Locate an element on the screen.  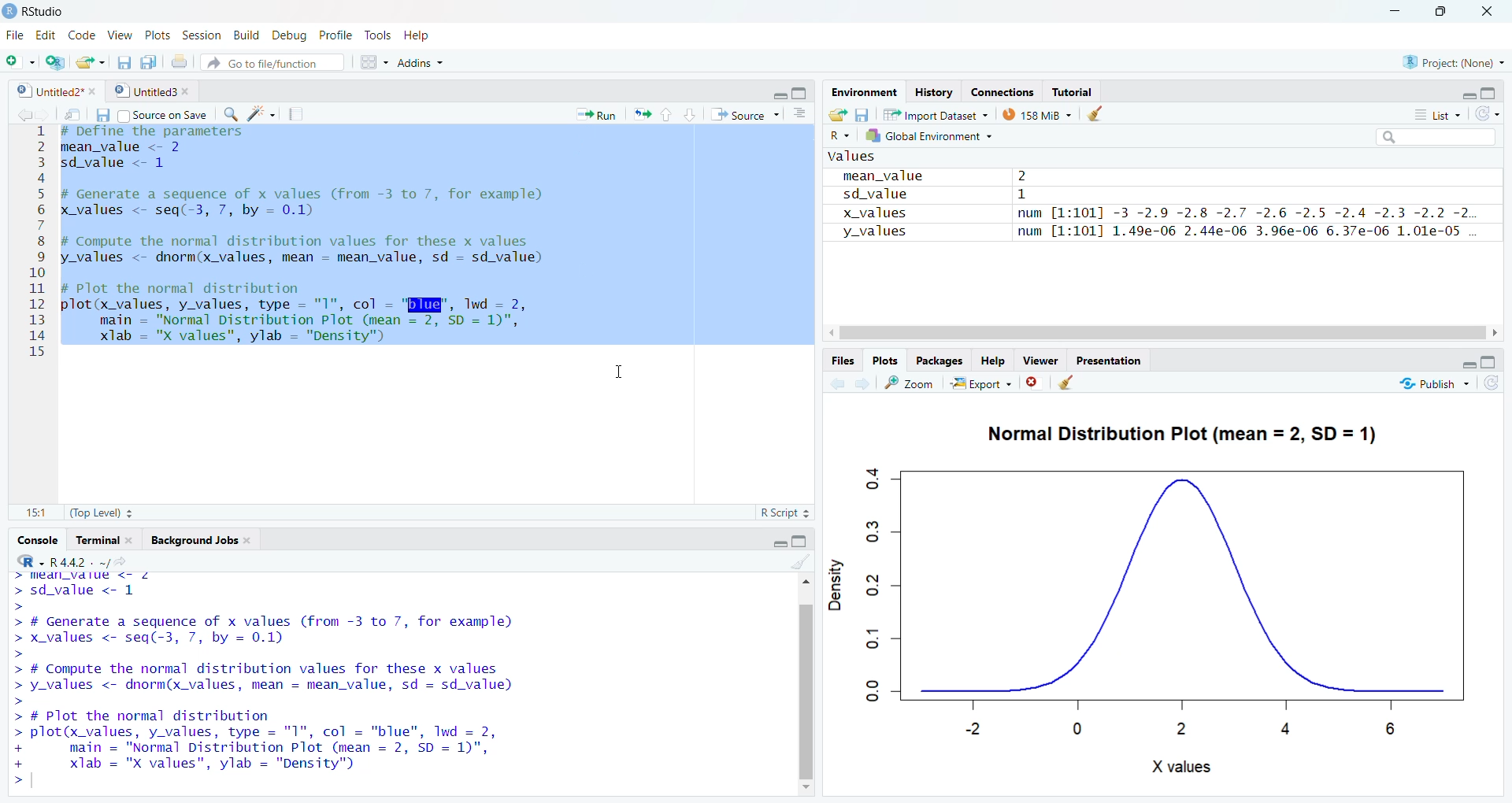
refresh is located at coordinates (1494, 383).